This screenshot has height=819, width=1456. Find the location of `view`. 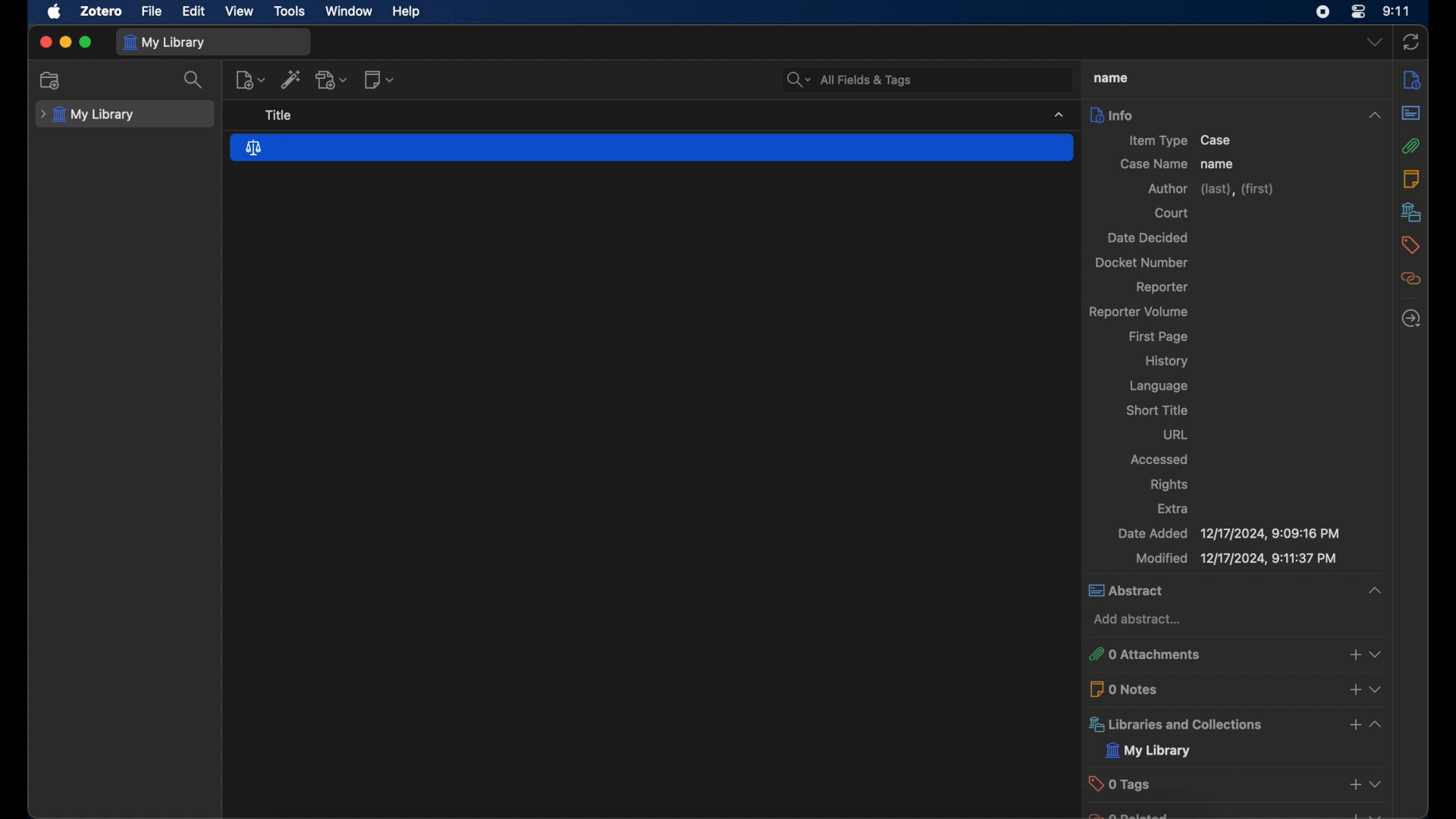

view is located at coordinates (240, 11).